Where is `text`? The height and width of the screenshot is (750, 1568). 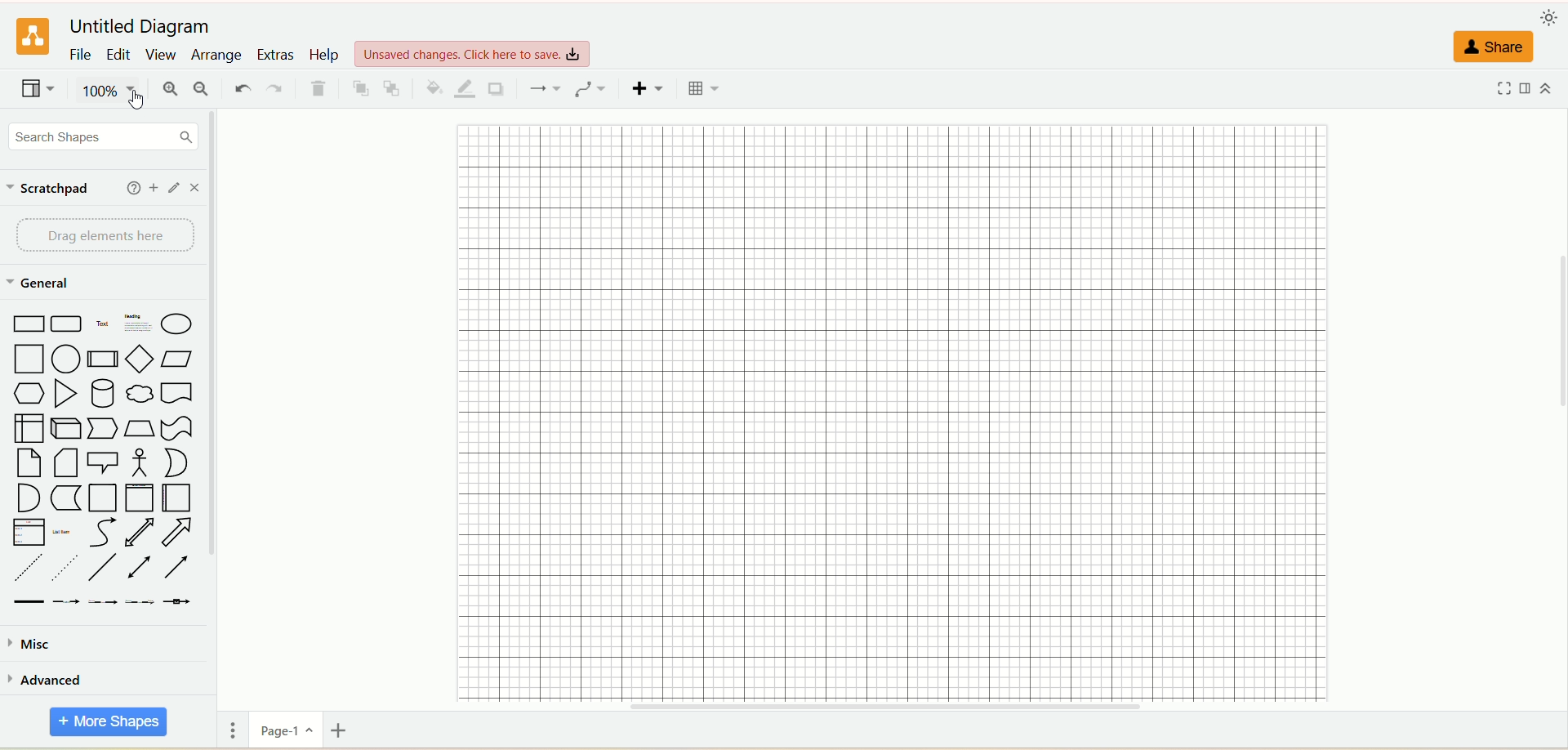 text is located at coordinates (103, 324).